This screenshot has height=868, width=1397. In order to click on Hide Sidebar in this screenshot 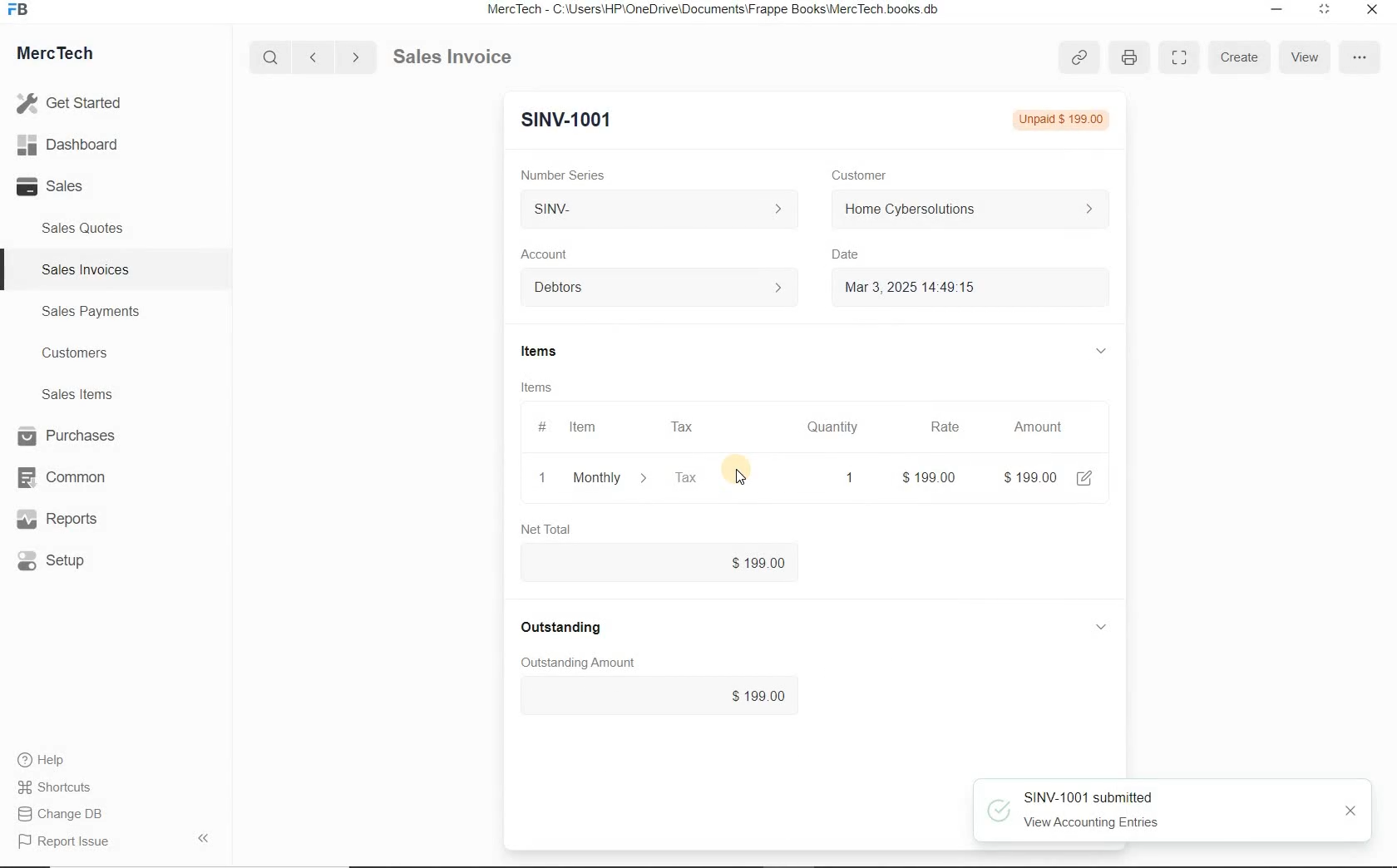, I will do `click(202, 837)`.